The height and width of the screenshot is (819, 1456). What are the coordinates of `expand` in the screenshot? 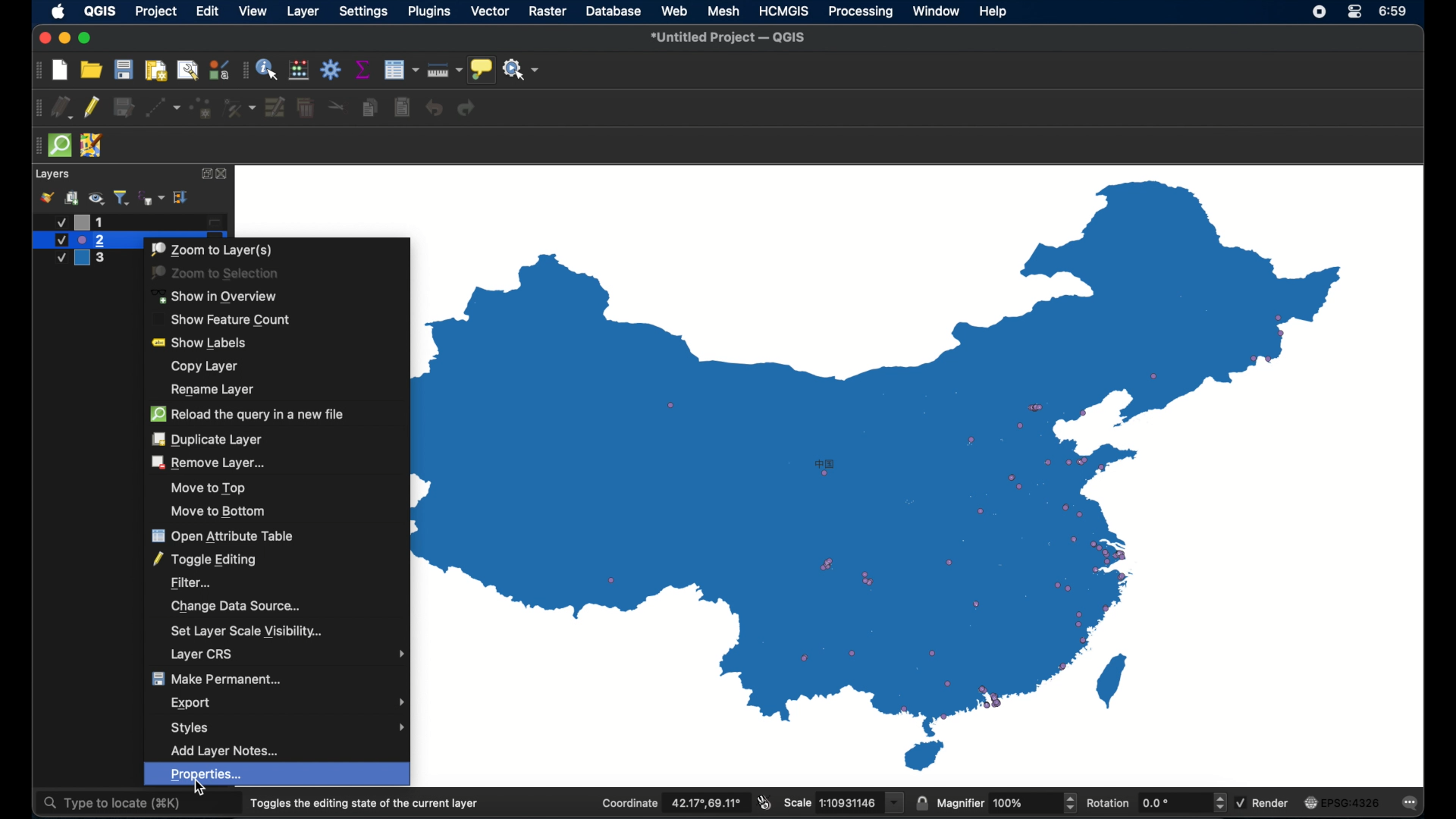 It's located at (204, 174).